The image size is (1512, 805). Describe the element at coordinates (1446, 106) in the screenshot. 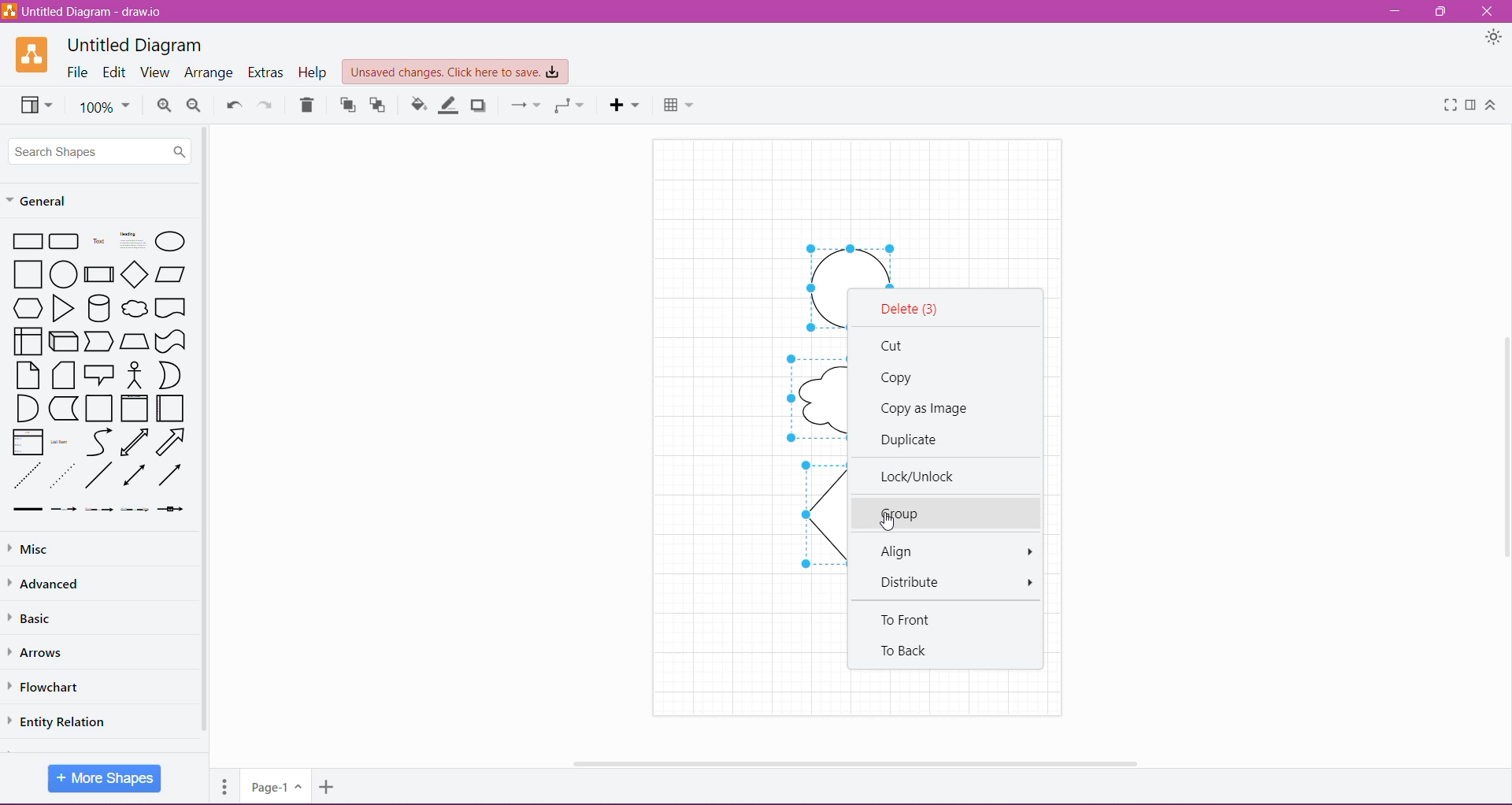

I see `Fullscreen` at that location.